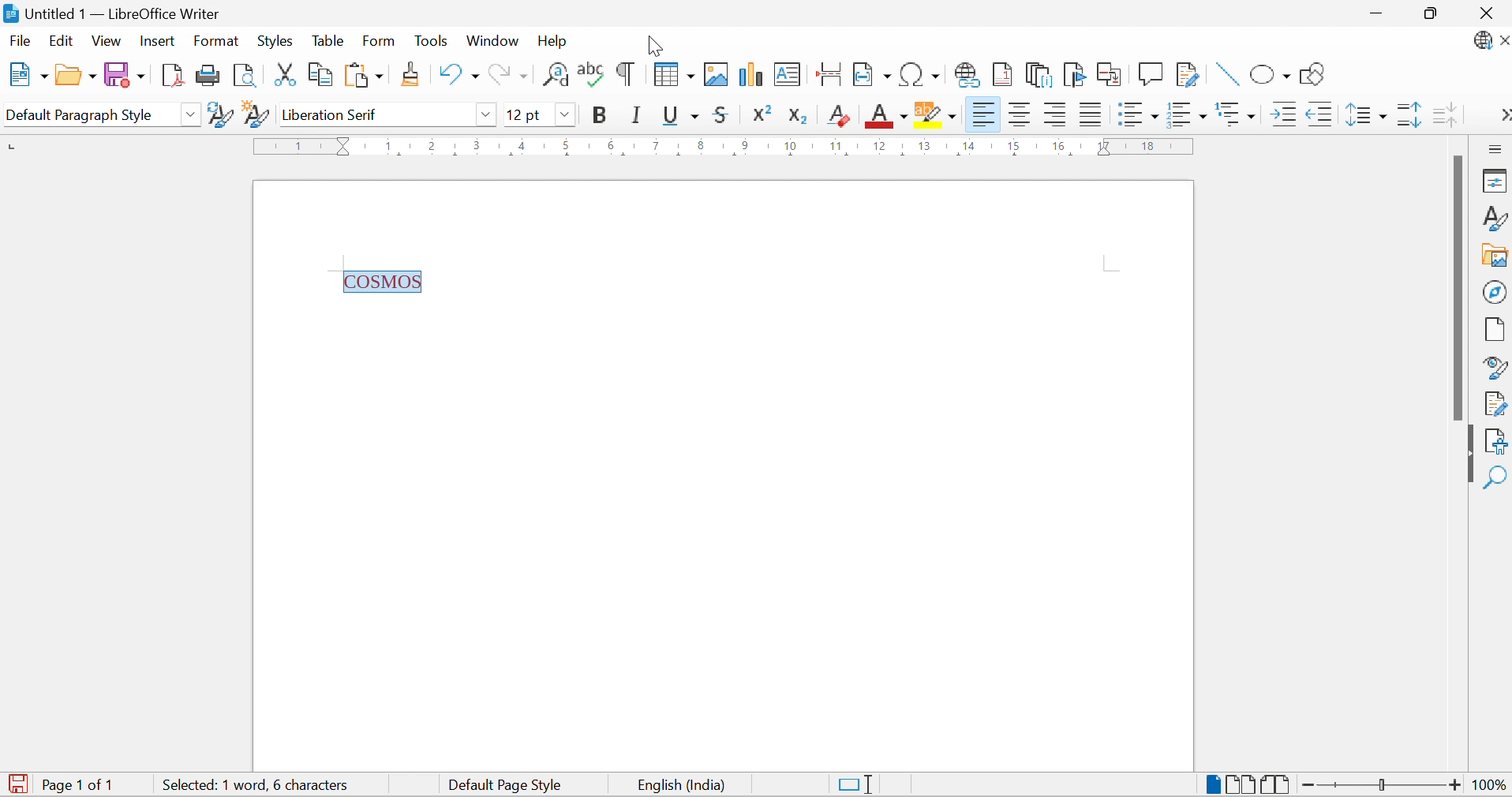 The image size is (1512, 797). What do you see at coordinates (601, 115) in the screenshot?
I see `Bold` at bounding box center [601, 115].